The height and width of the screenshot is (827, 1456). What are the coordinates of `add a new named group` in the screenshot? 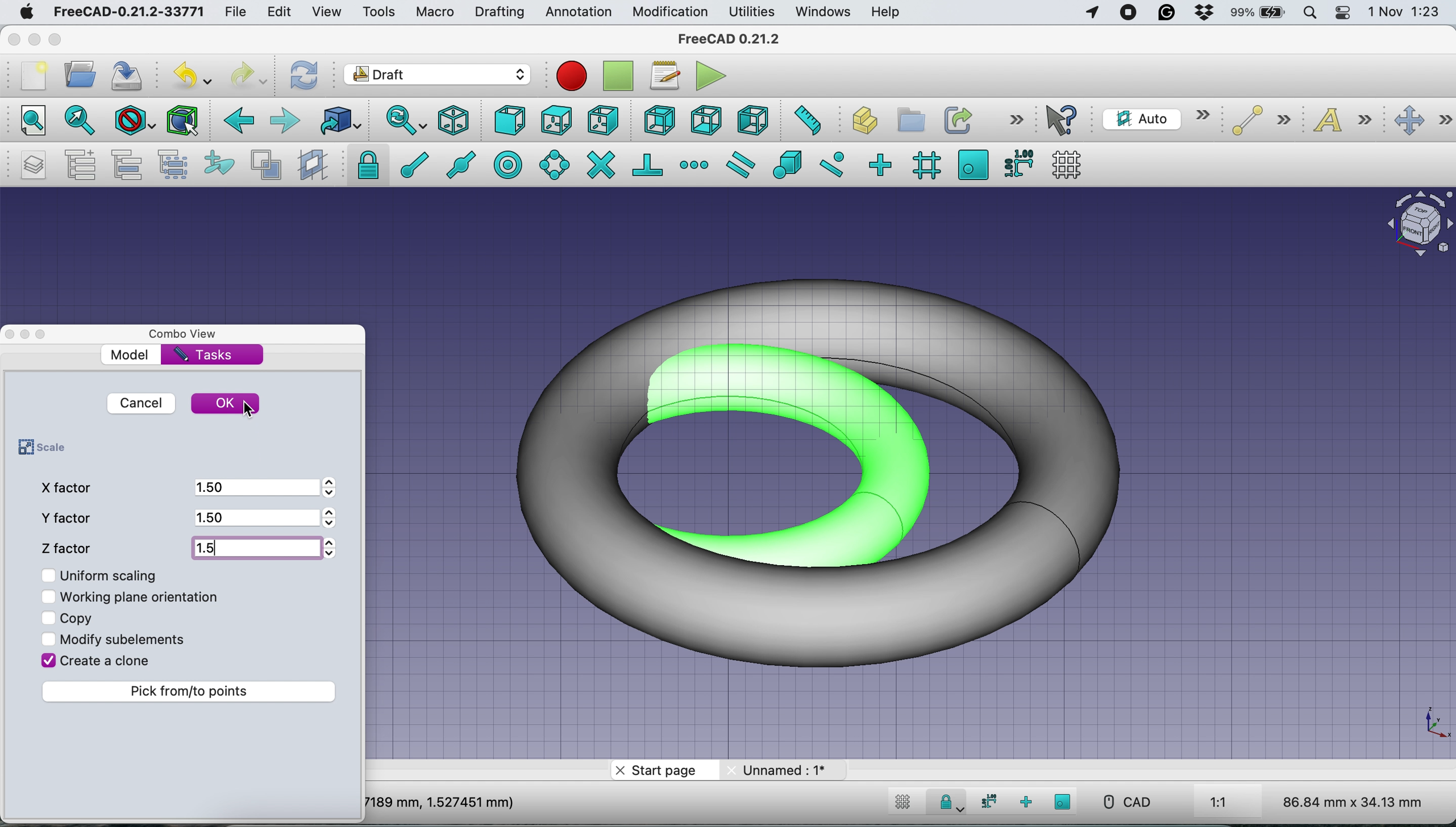 It's located at (81, 164).